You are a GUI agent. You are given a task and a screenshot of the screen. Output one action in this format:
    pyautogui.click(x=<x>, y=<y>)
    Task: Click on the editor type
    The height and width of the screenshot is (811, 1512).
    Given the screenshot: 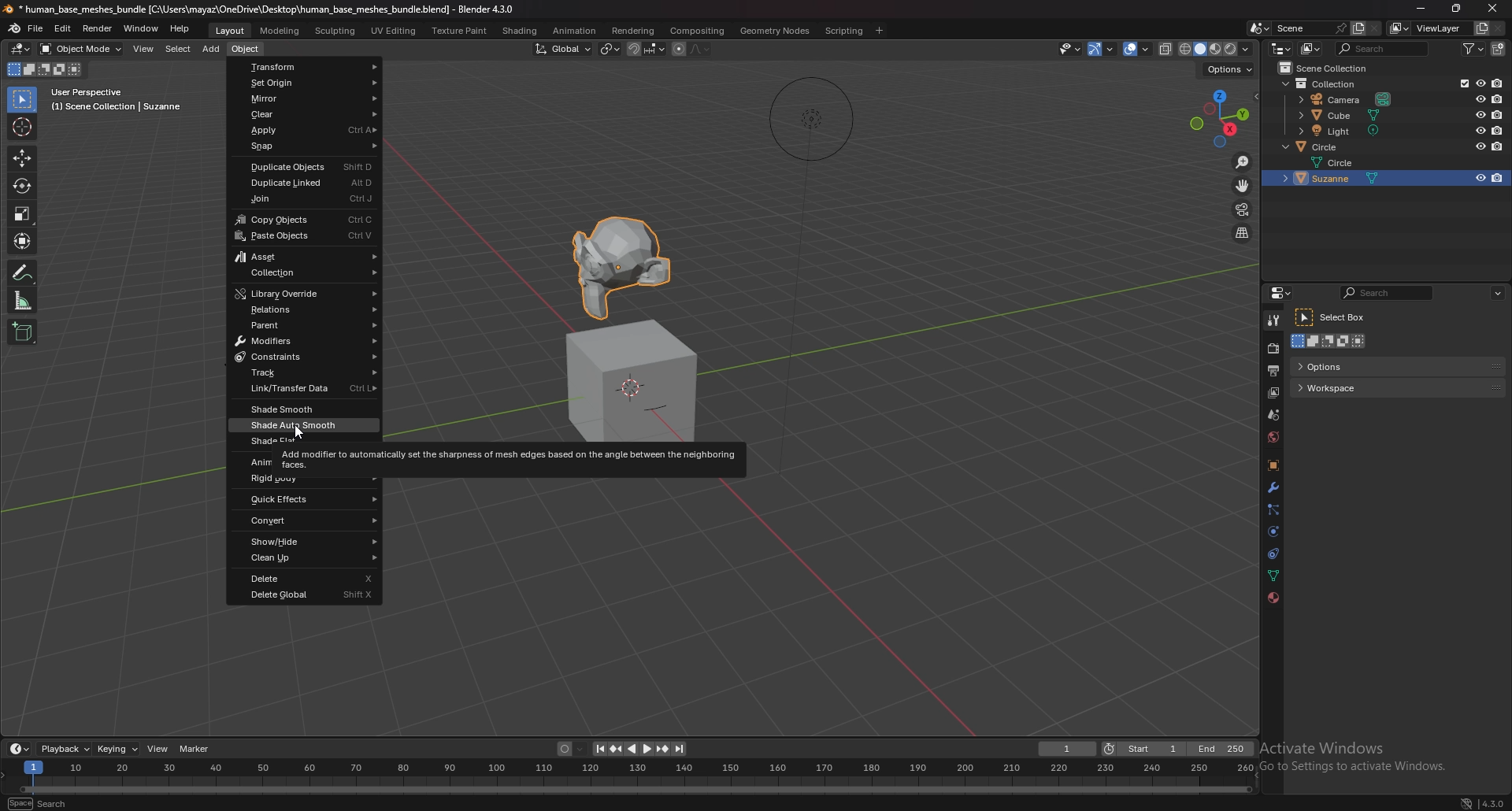 What is the action you would take?
    pyautogui.click(x=1280, y=293)
    